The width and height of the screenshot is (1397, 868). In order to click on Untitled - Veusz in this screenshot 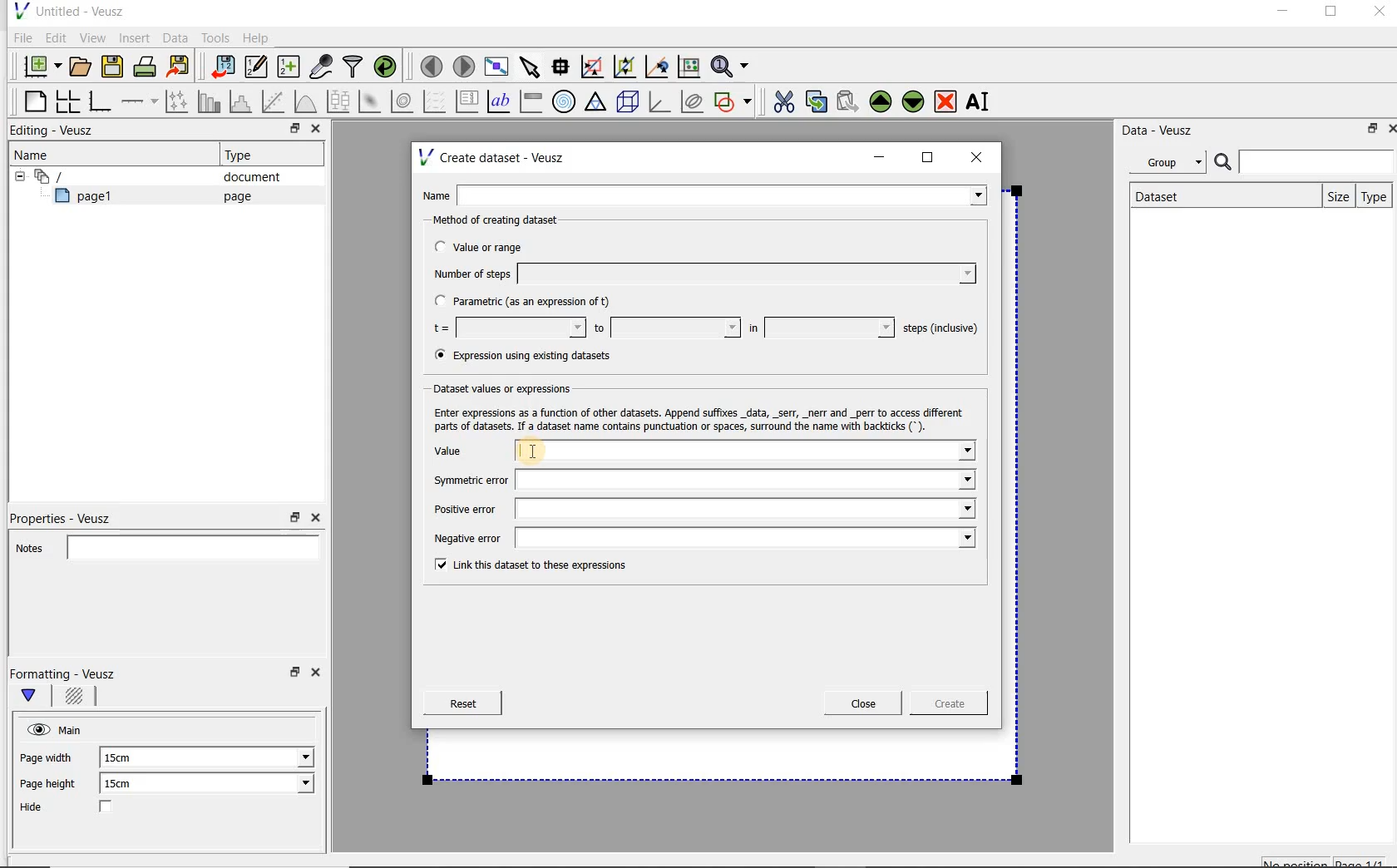, I will do `click(67, 10)`.